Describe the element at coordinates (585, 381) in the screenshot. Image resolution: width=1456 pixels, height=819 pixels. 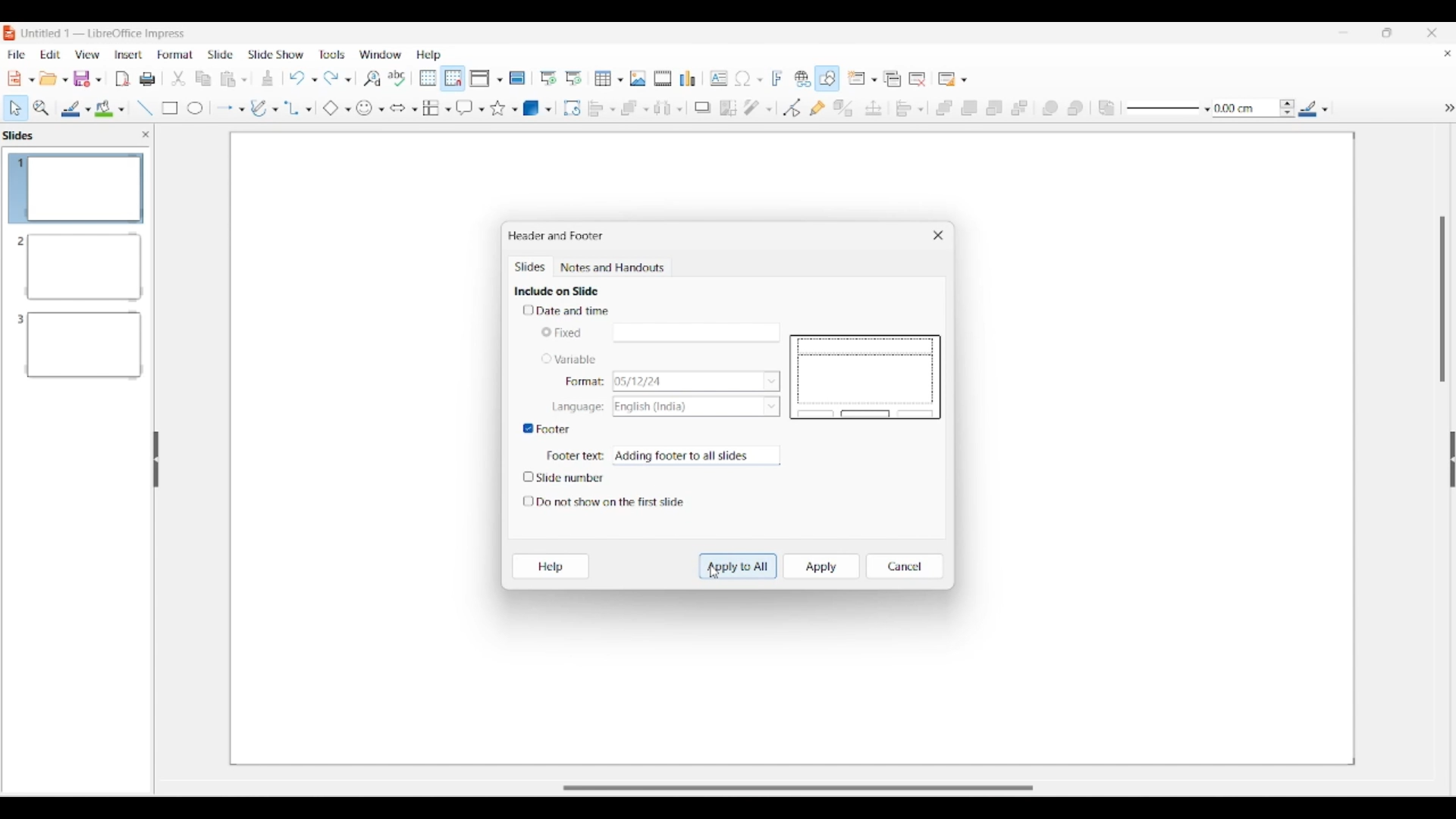
I see `Indicates format options` at that location.